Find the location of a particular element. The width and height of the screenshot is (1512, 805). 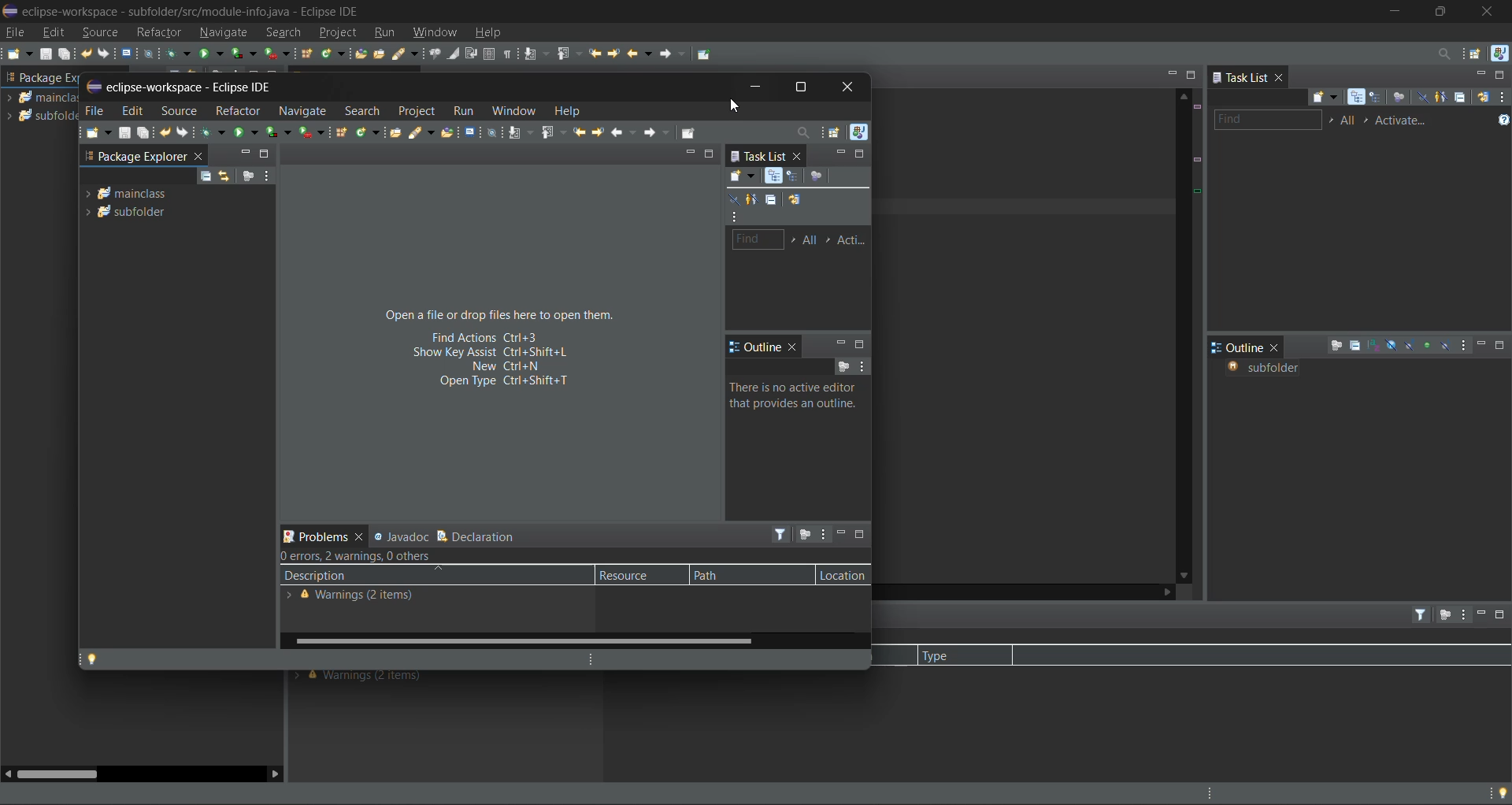

focus on workweek is located at coordinates (1402, 98).